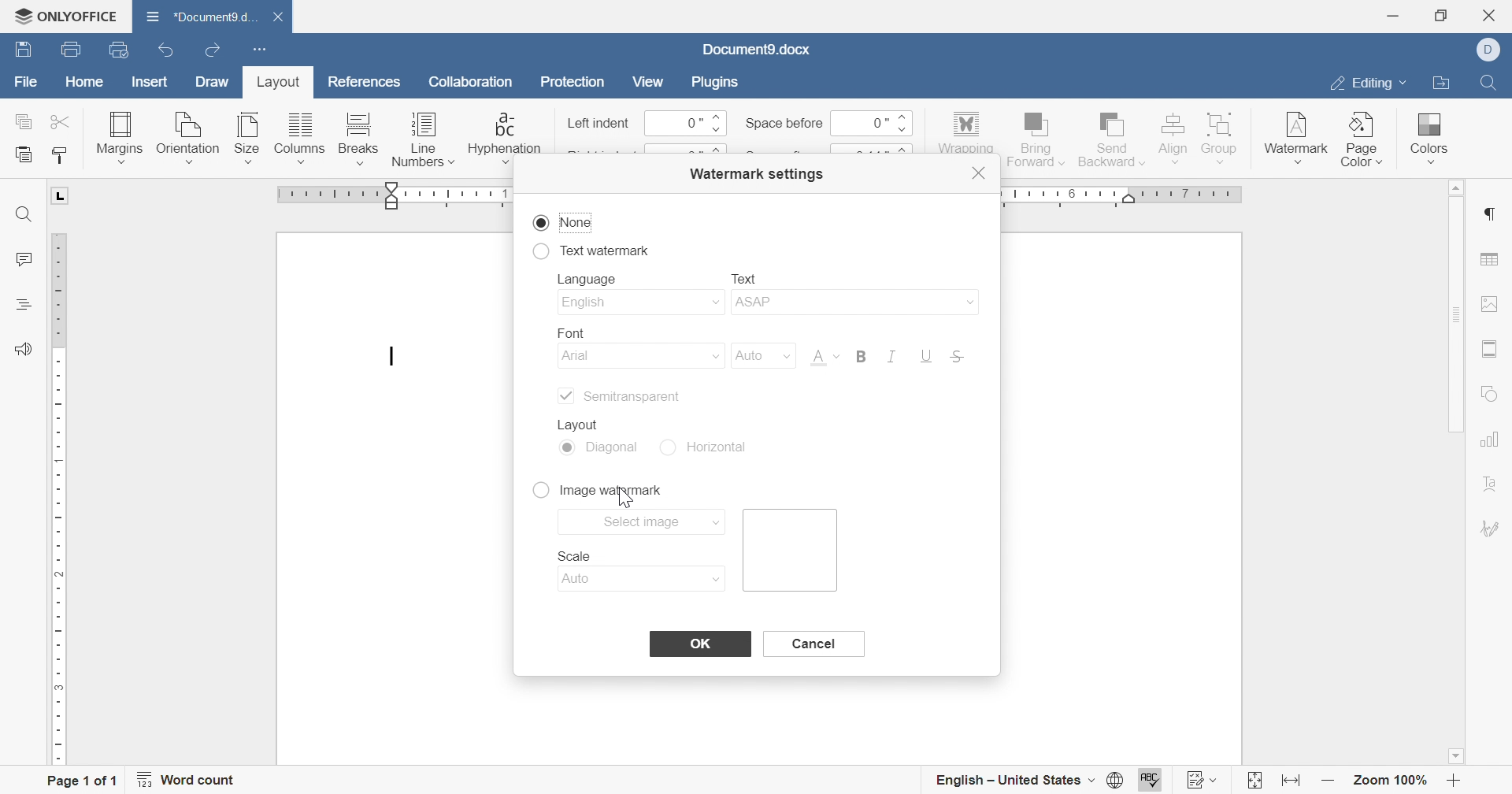 The height and width of the screenshot is (794, 1512). Describe the element at coordinates (81, 782) in the screenshot. I see `page 1 of 1` at that location.